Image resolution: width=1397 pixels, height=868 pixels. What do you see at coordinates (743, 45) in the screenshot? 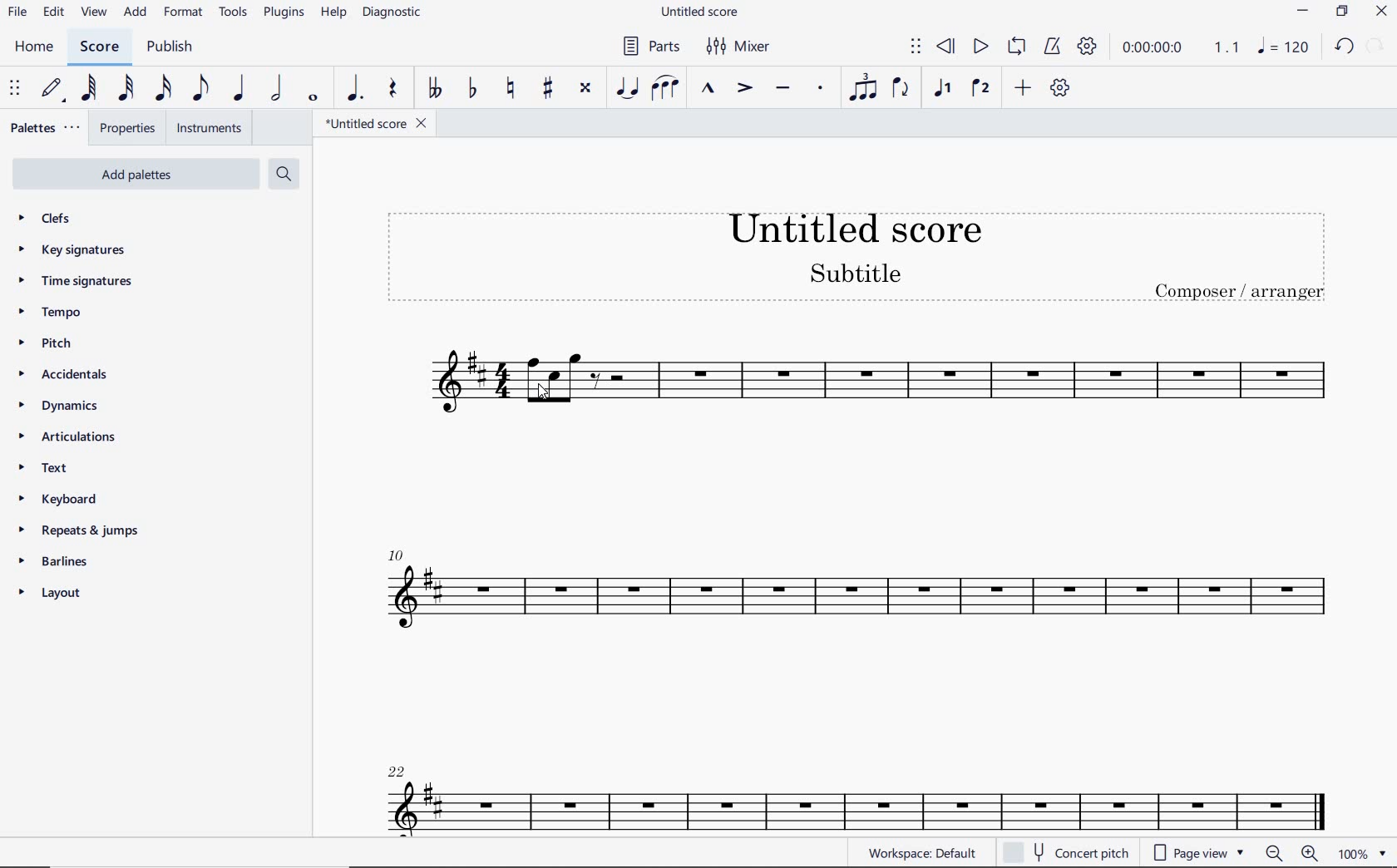
I see `MIXER` at bounding box center [743, 45].